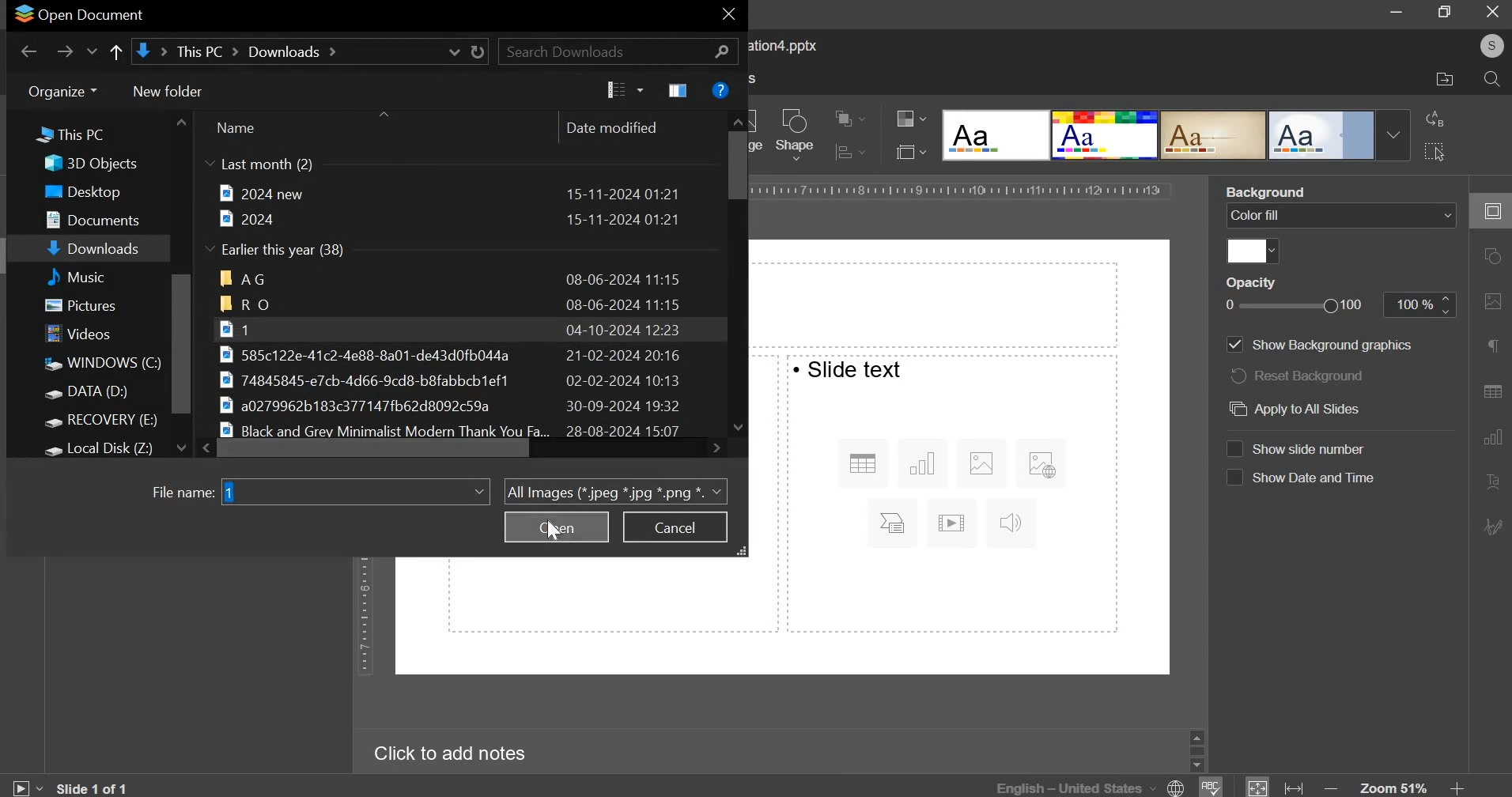 The image size is (1512, 797). Describe the element at coordinates (1446, 11) in the screenshot. I see `maximize` at that location.